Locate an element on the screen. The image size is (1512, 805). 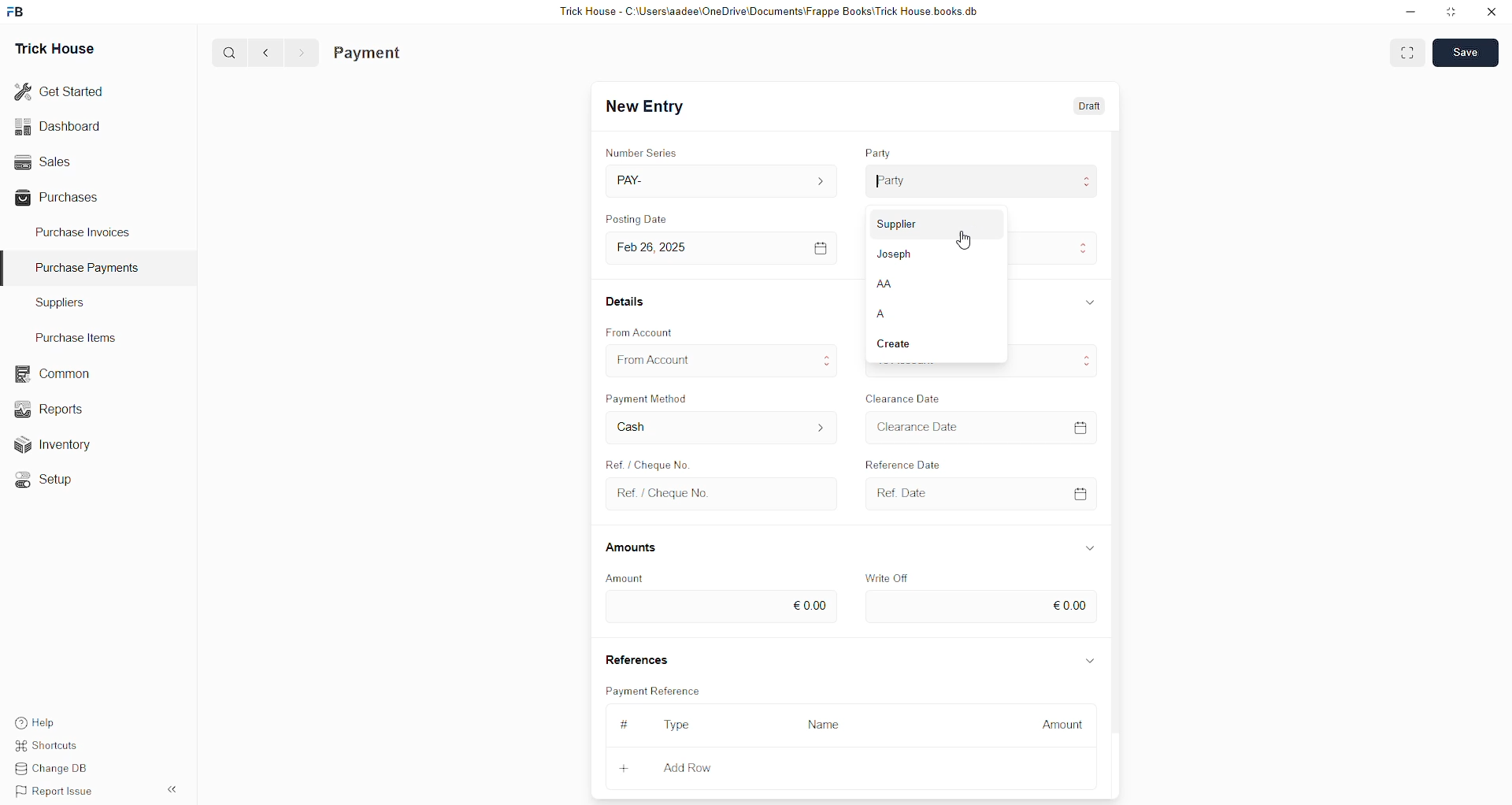
Suppliers is located at coordinates (77, 304).